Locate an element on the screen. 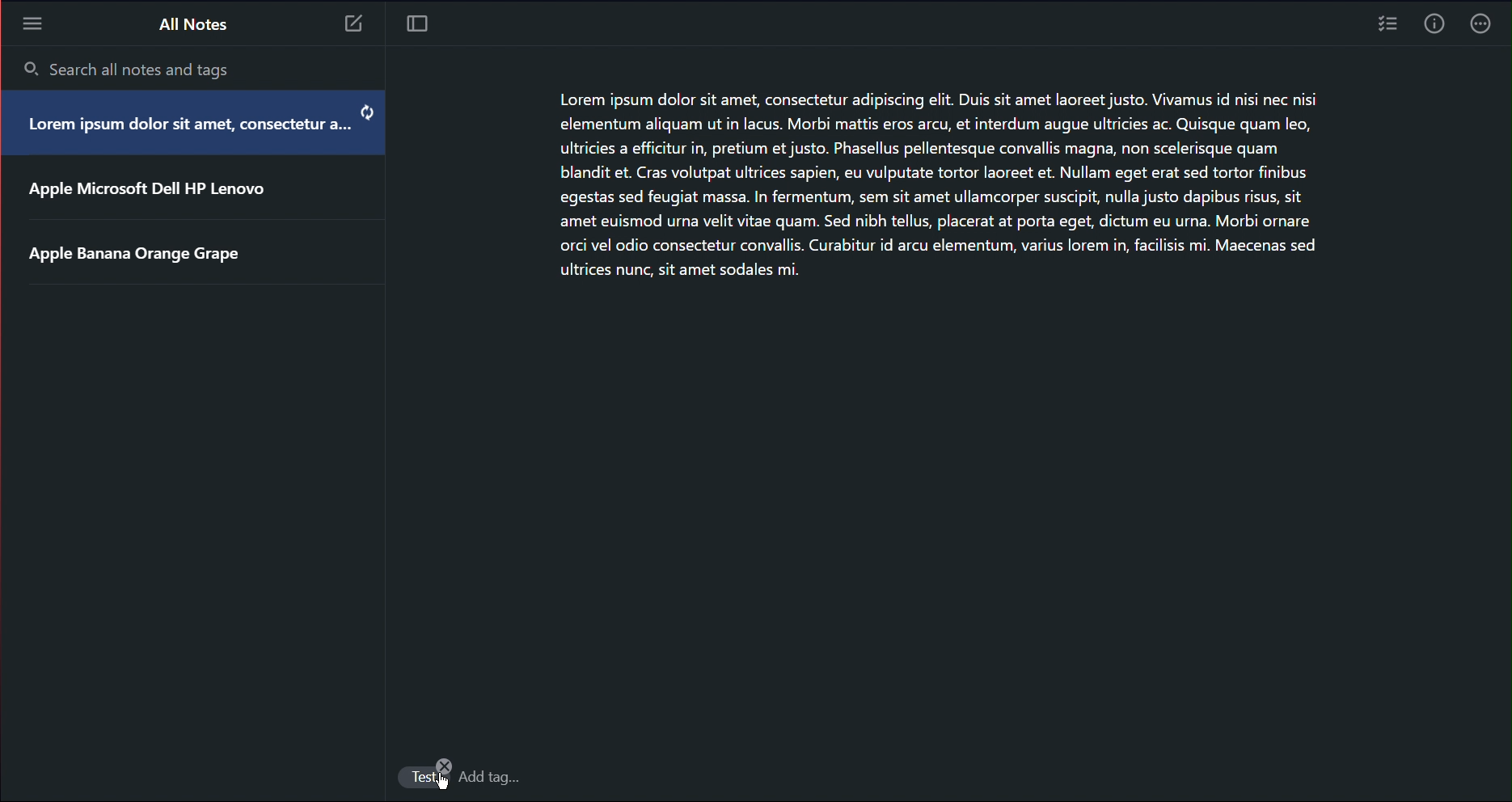 The image size is (1512, 802). test is located at coordinates (423, 778).